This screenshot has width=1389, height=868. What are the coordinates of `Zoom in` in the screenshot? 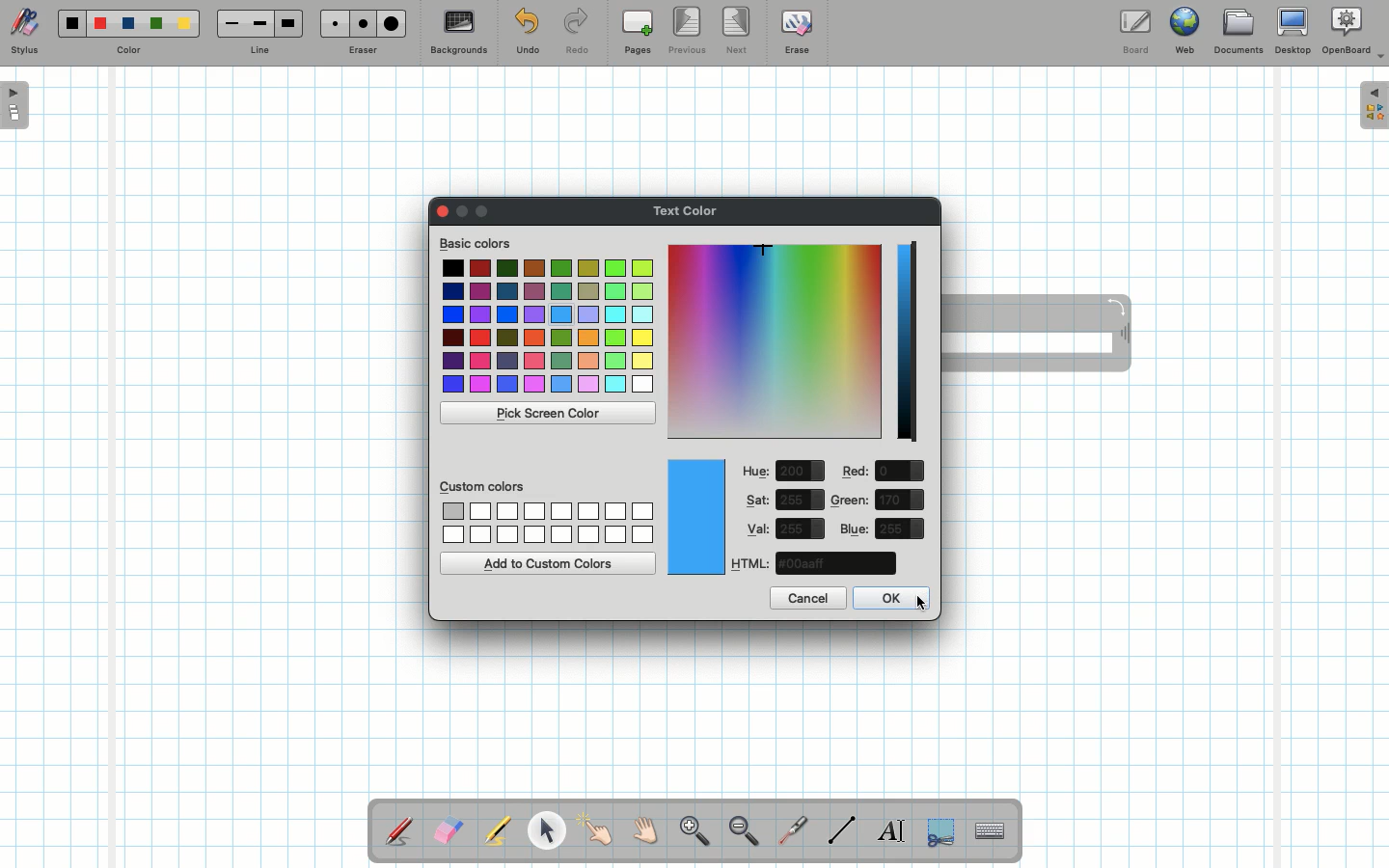 It's located at (690, 833).